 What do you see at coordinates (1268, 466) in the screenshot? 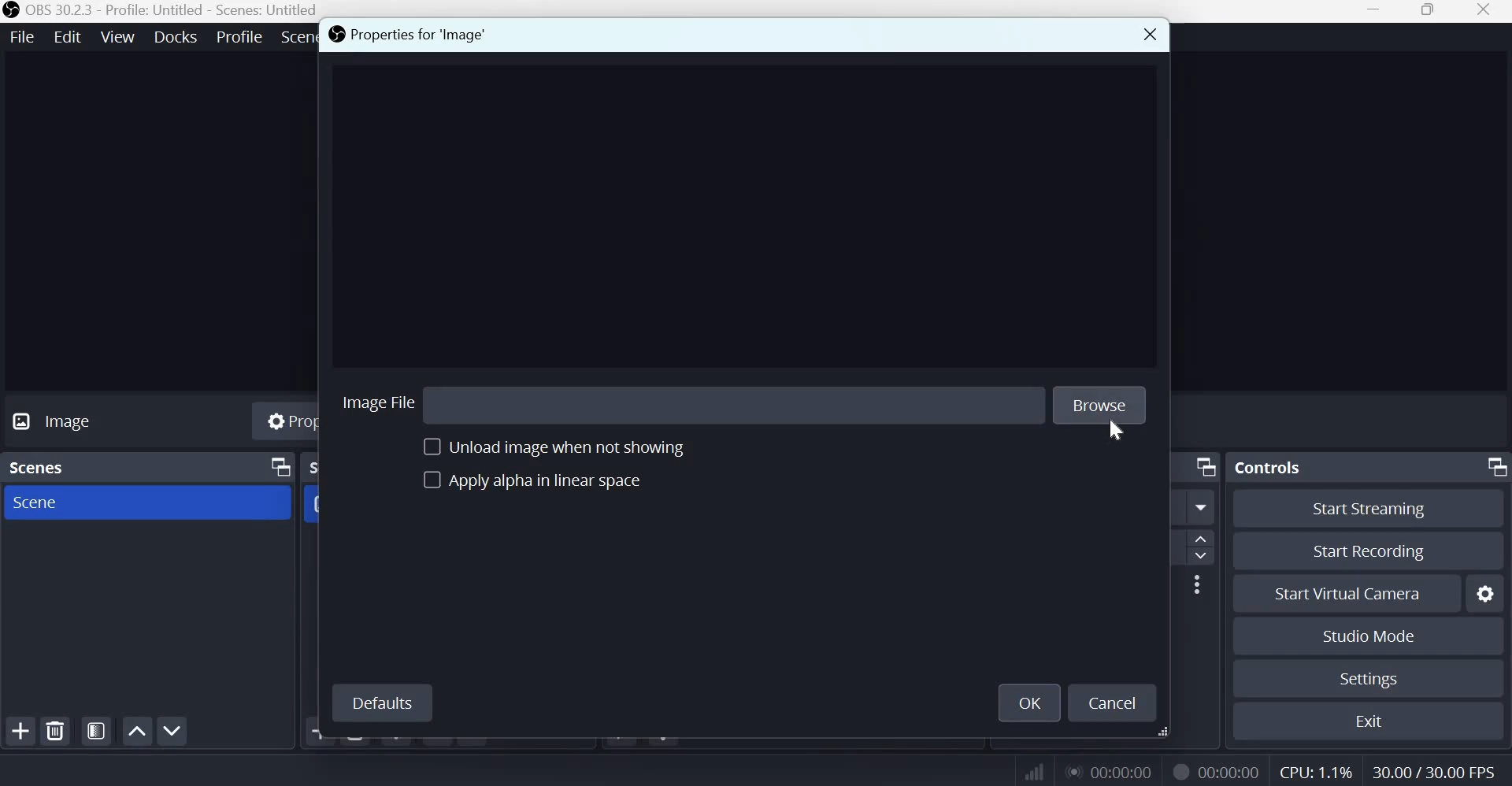
I see `Controls` at bounding box center [1268, 466].